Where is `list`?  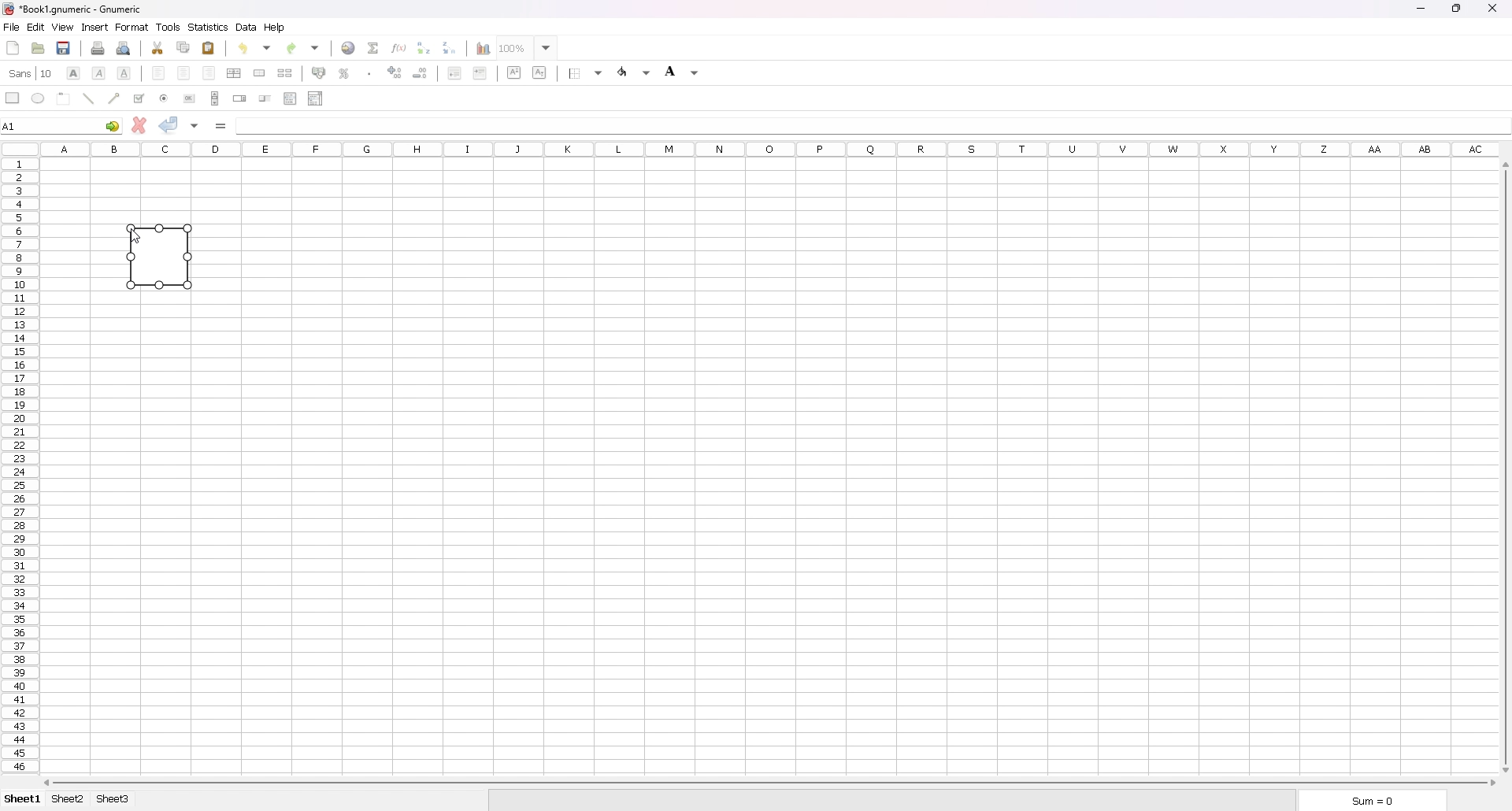 list is located at coordinates (291, 98).